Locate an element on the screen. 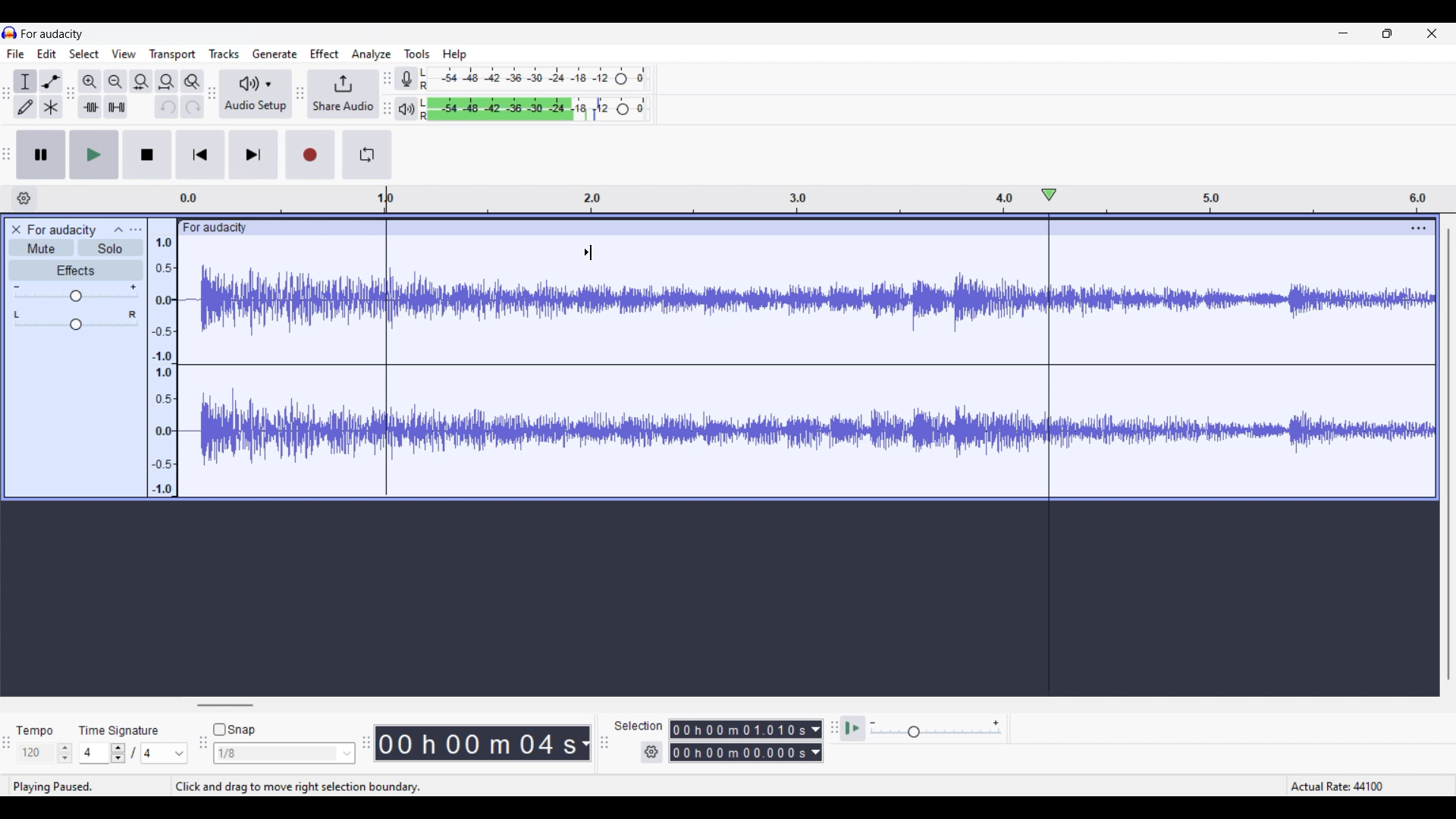 The width and height of the screenshot is (1456, 819). Envelop tool is located at coordinates (52, 82).